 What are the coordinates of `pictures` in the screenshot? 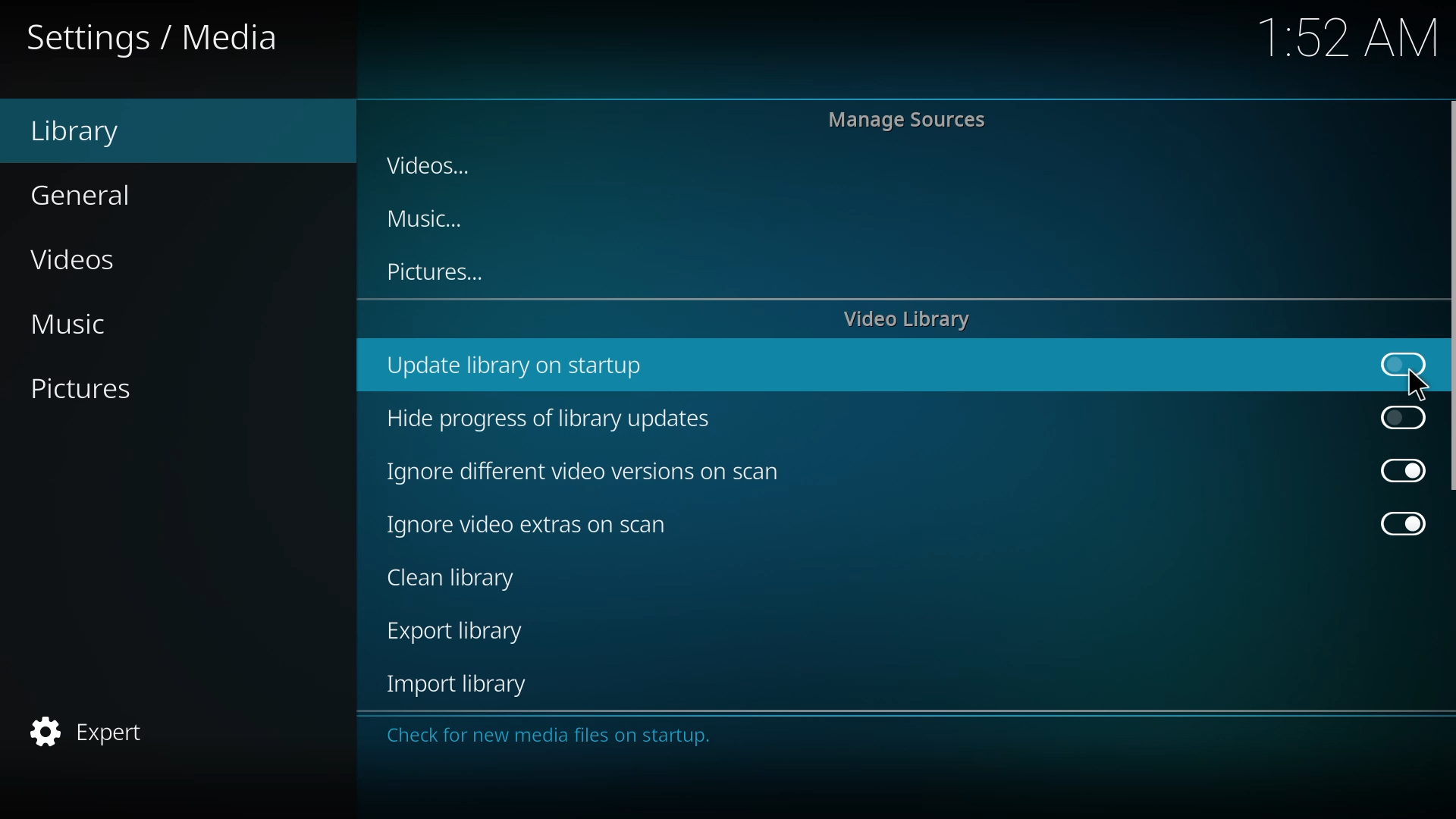 It's located at (89, 391).